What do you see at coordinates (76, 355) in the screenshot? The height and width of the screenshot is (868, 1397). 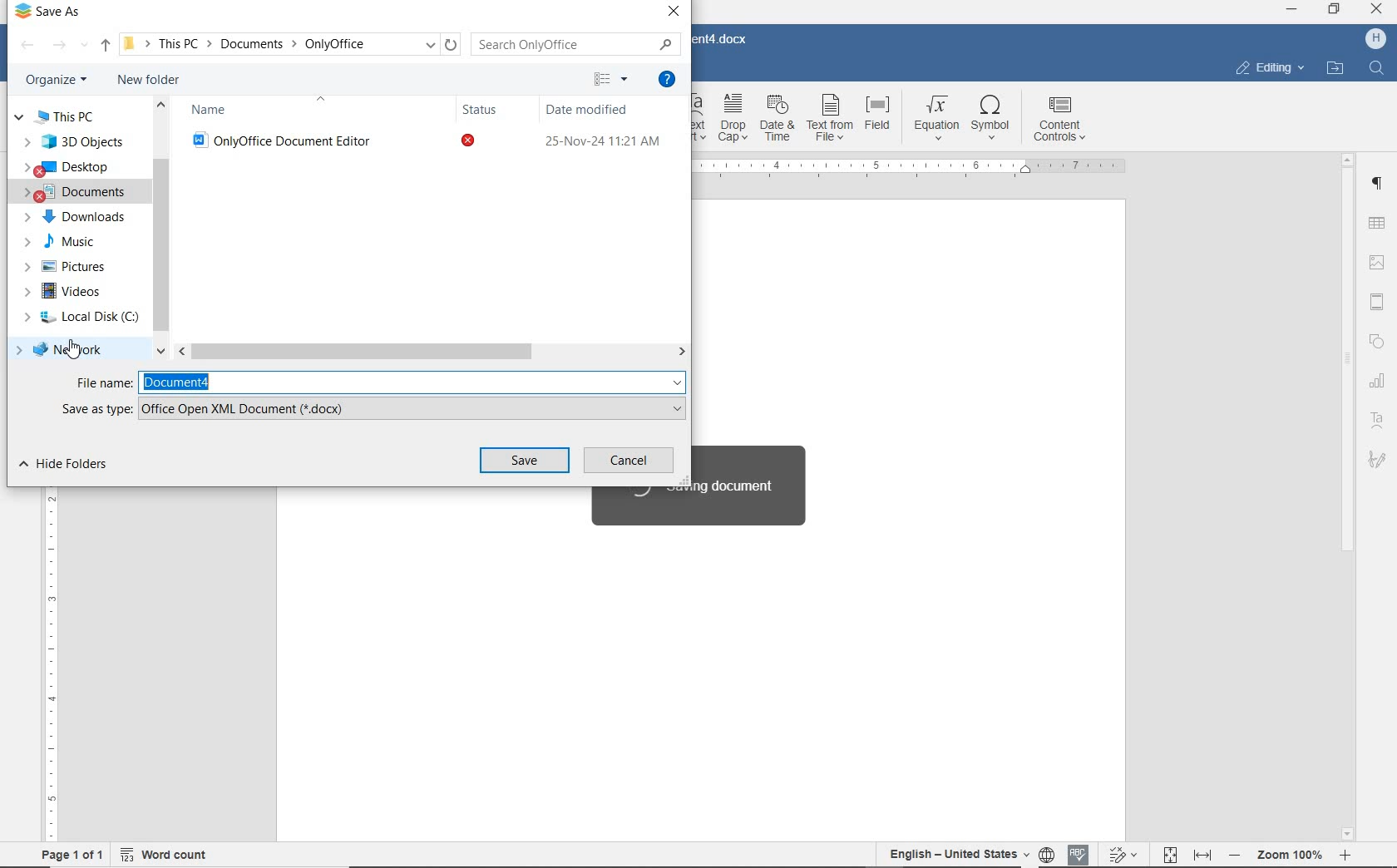 I see `Pointer` at bounding box center [76, 355].